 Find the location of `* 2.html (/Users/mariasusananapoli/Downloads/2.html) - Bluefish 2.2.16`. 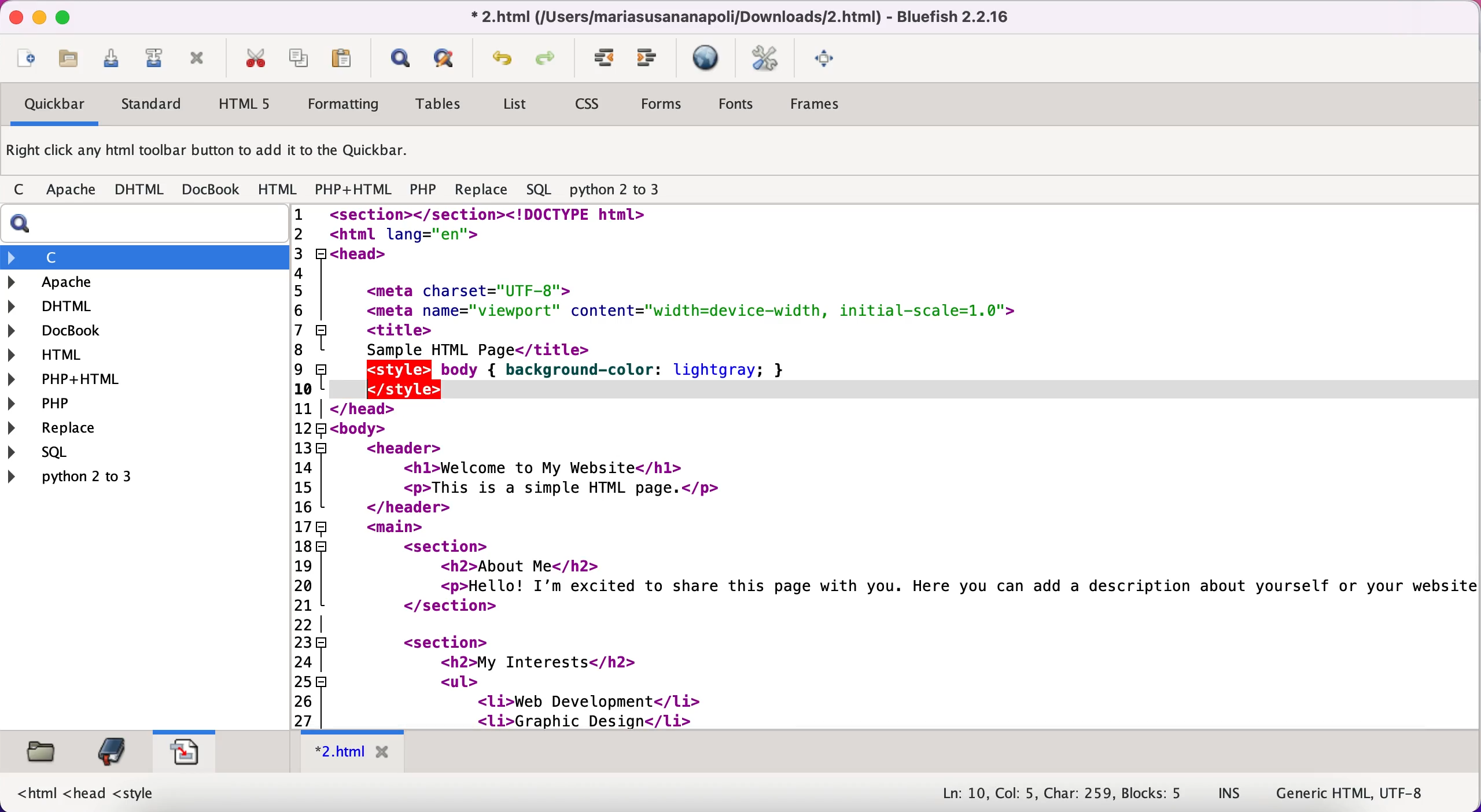

* 2.html (/Users/mariasusananapoli/Downloads/2.html) - Bluefish 2.2.16 is located at coordinates (736, 16).